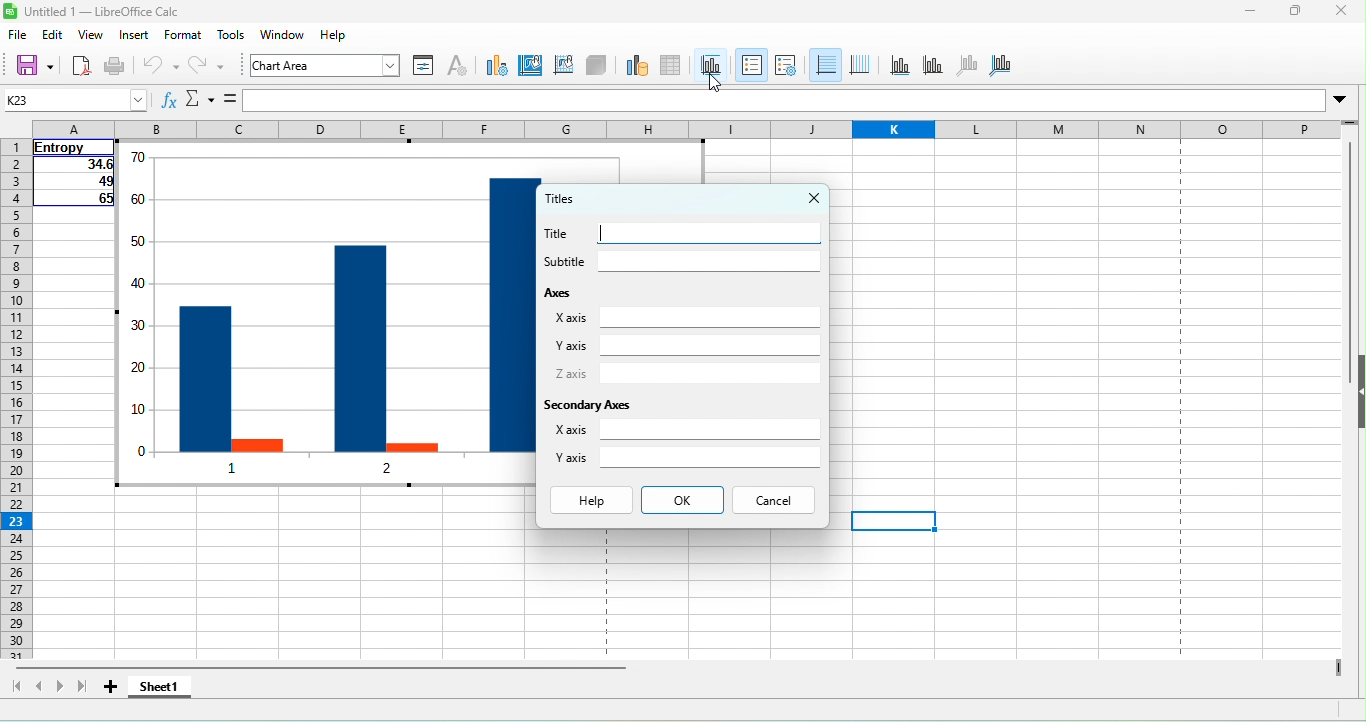 This screenshot has width=1366, height=722. I want to click on close, so click(1346, 12).